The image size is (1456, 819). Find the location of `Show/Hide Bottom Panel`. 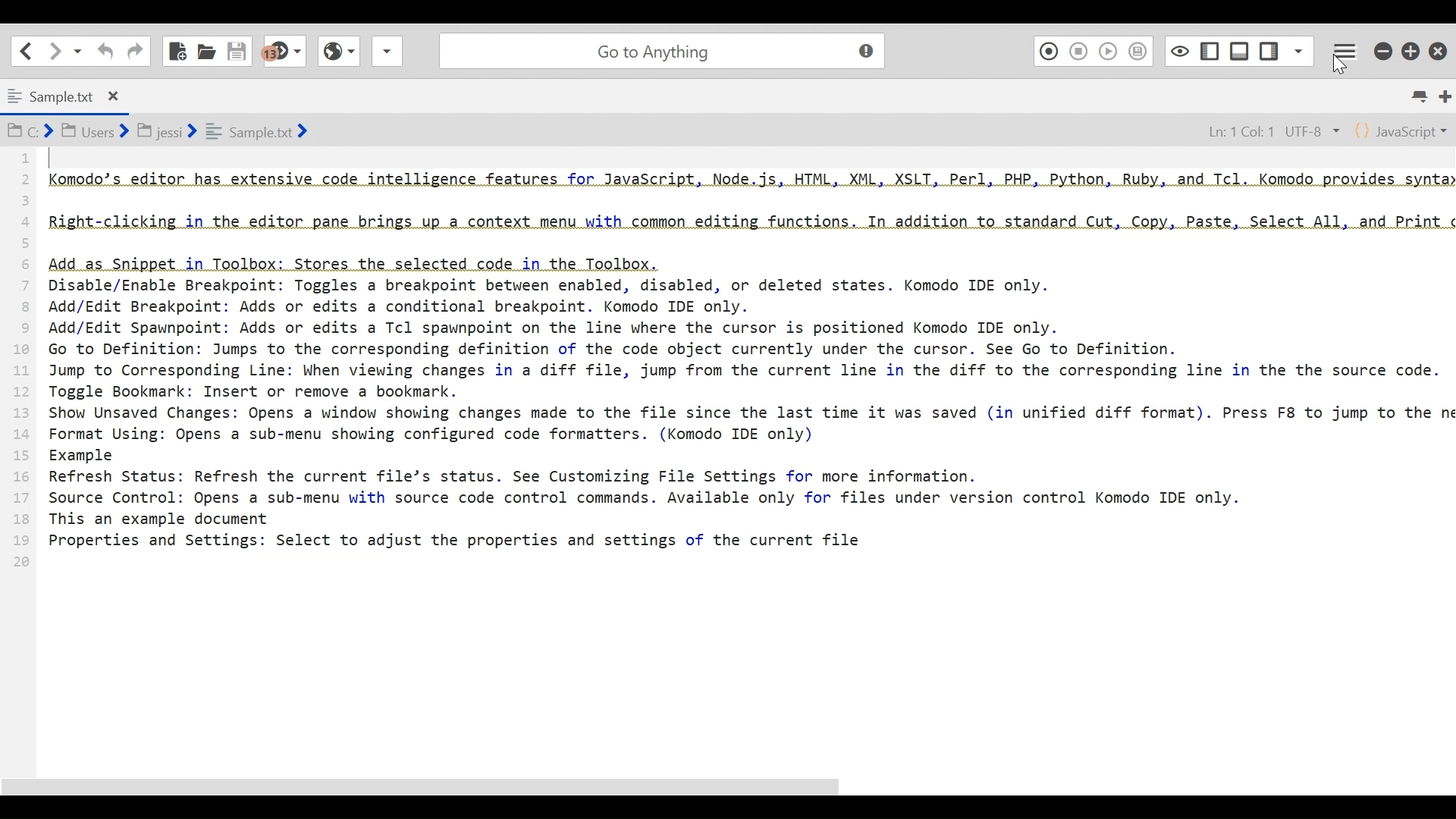

Show/Hide Bottom Panel is located at coordinates (1240, 49).